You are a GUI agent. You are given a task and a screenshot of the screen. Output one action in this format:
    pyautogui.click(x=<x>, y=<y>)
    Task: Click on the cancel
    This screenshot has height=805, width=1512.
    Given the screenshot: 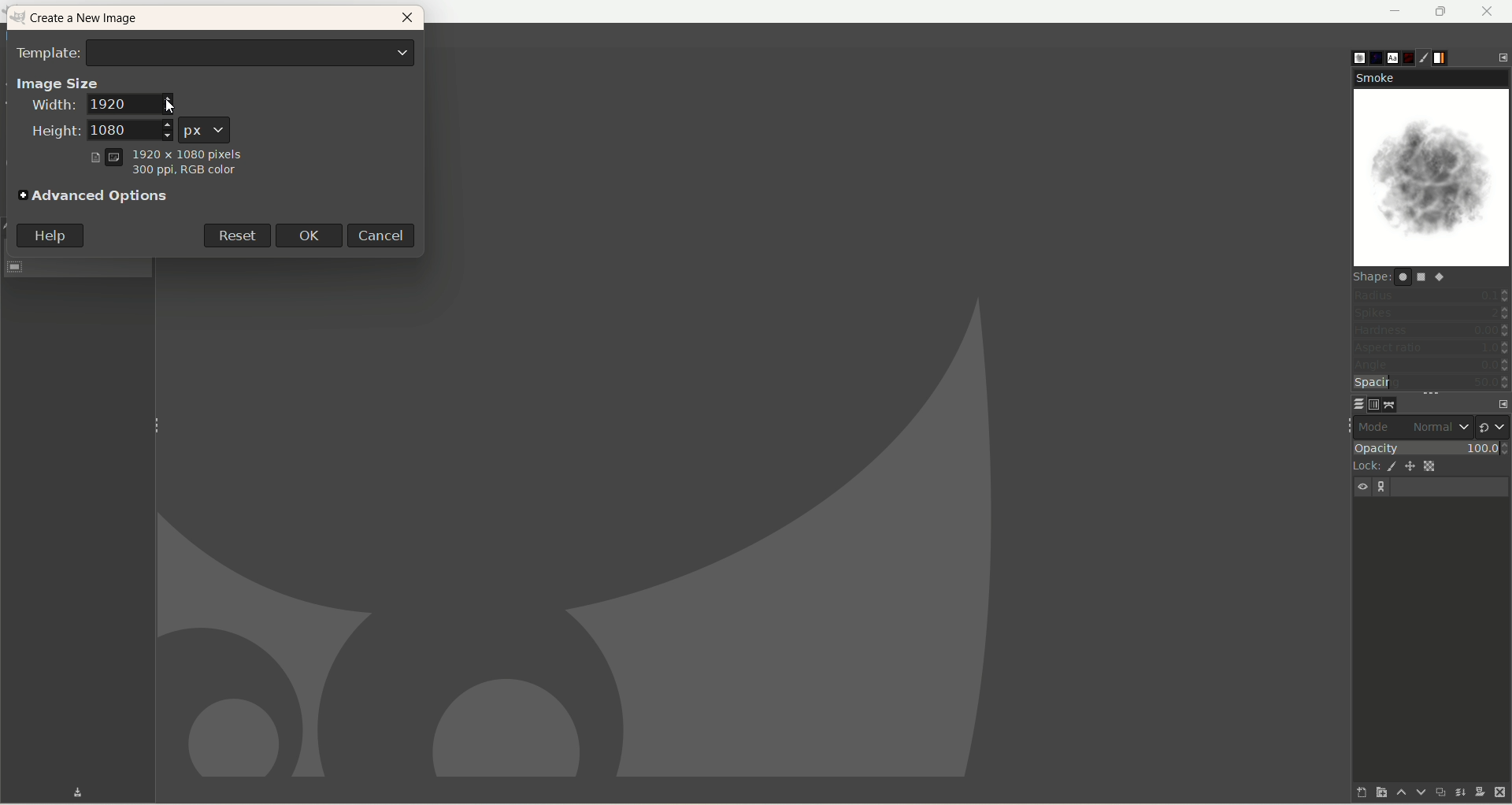 What is the action you would take?
    pyautogui.click(x=385, y=235)
    